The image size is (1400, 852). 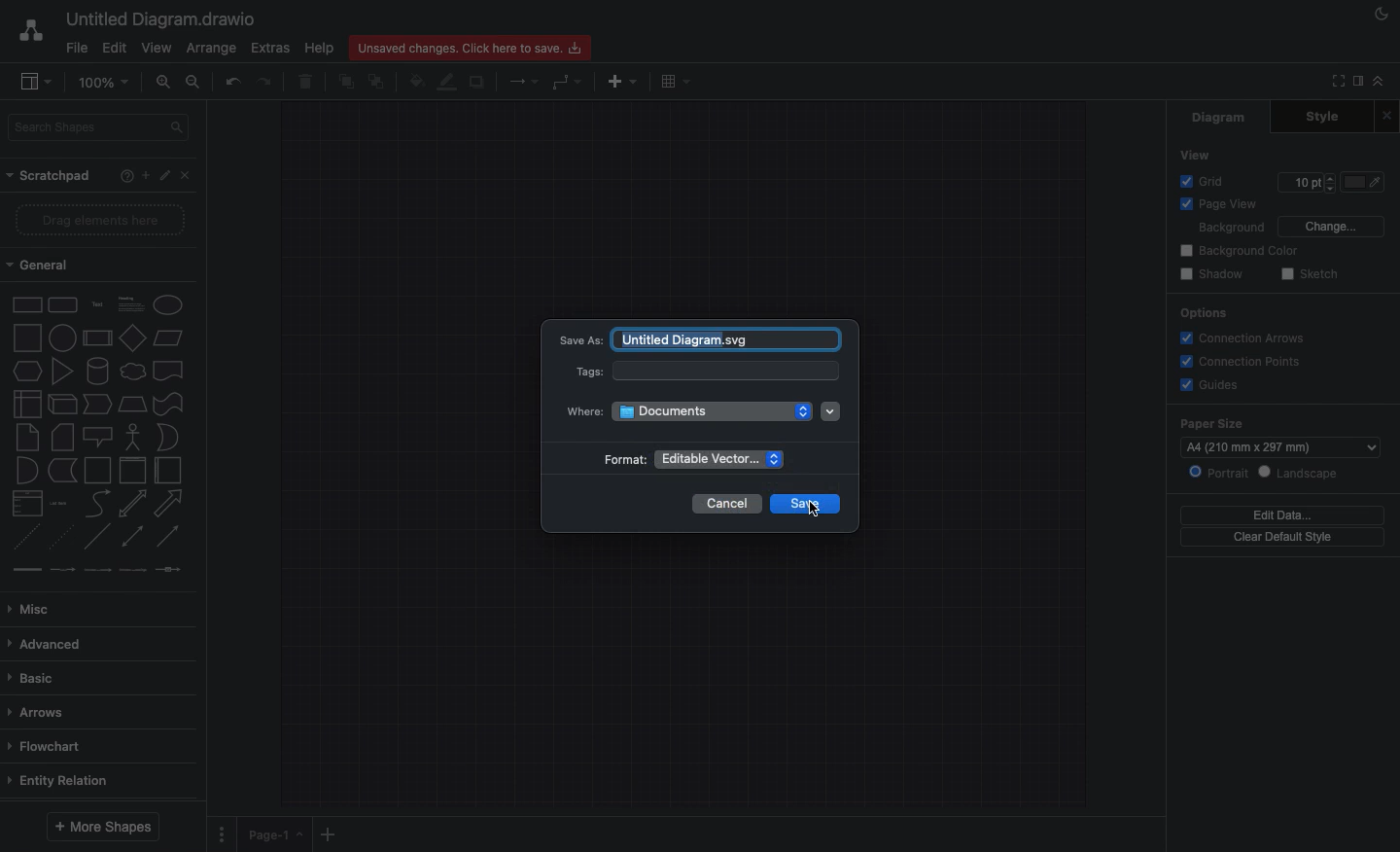 What do you see at coordinates (812, 510) in the screenshot?
I see `Cursor` at bounding box center [812, 510].